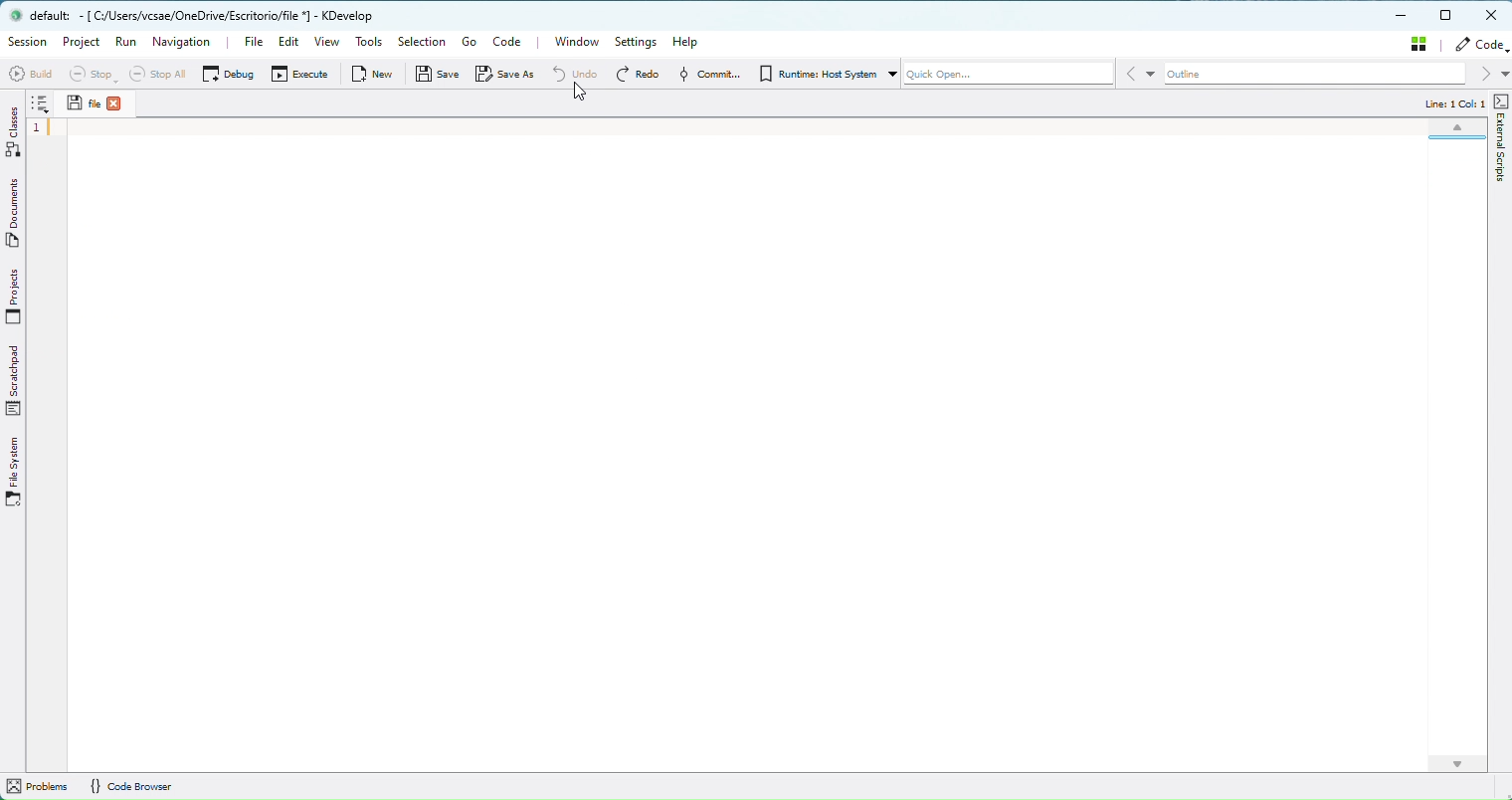  Describe the element at coordinates (19, 376) in the screenshot. I see `Scrathpad` at that location.